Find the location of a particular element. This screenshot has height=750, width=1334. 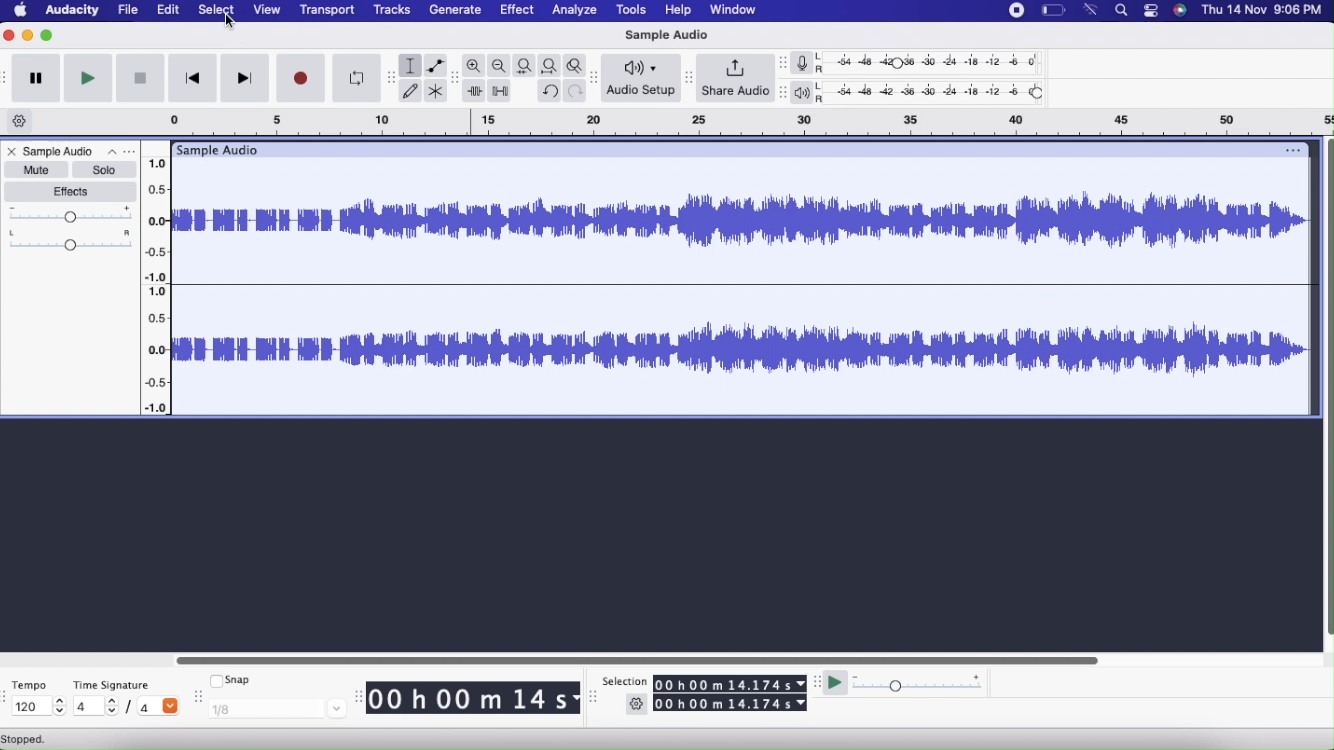

Siri is located at coordinates (1183, 11).